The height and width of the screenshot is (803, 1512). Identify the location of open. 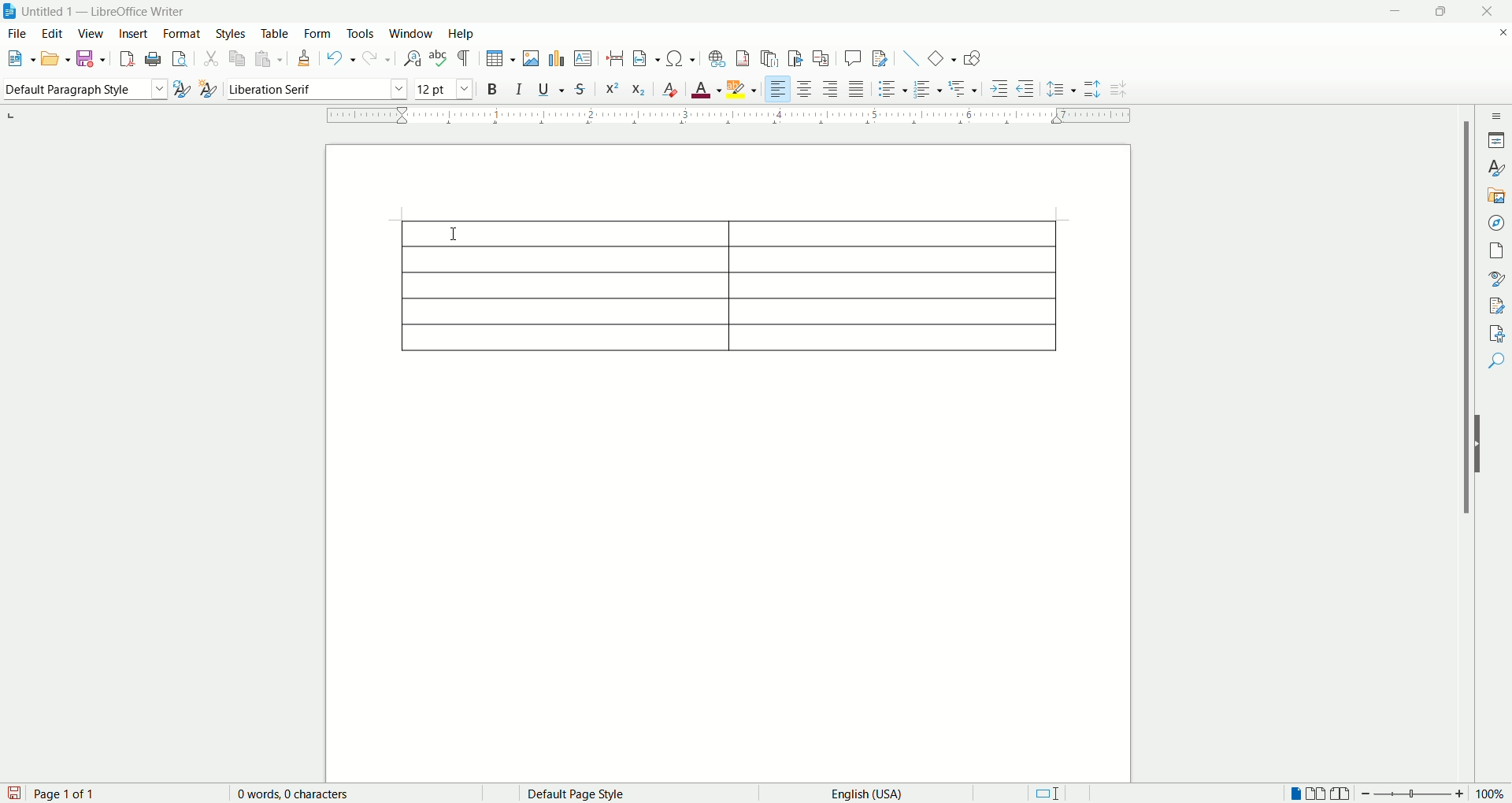
(55, 57).